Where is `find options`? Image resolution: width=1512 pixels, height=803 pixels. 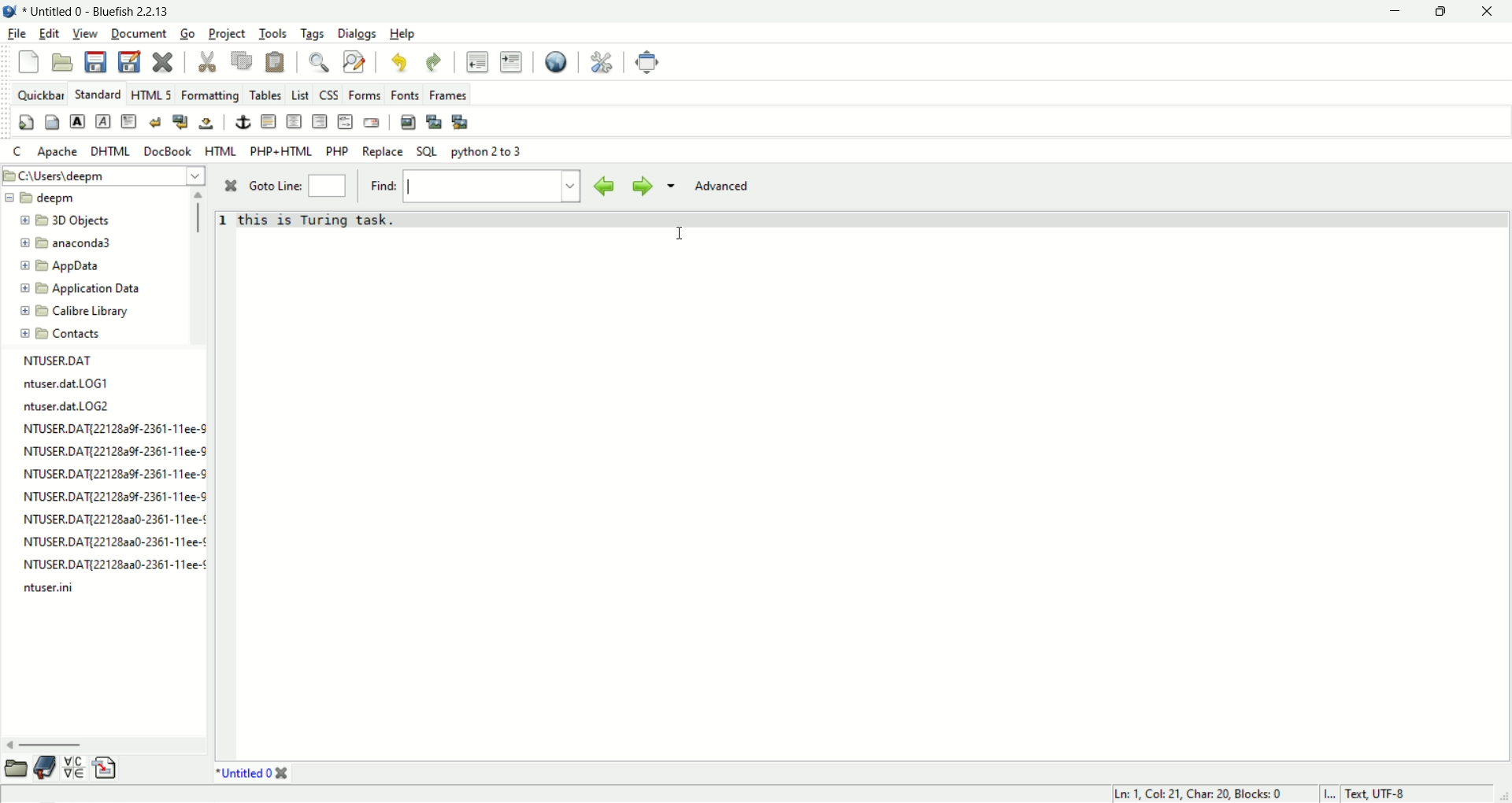 find options is located at coordinates (669, 184).